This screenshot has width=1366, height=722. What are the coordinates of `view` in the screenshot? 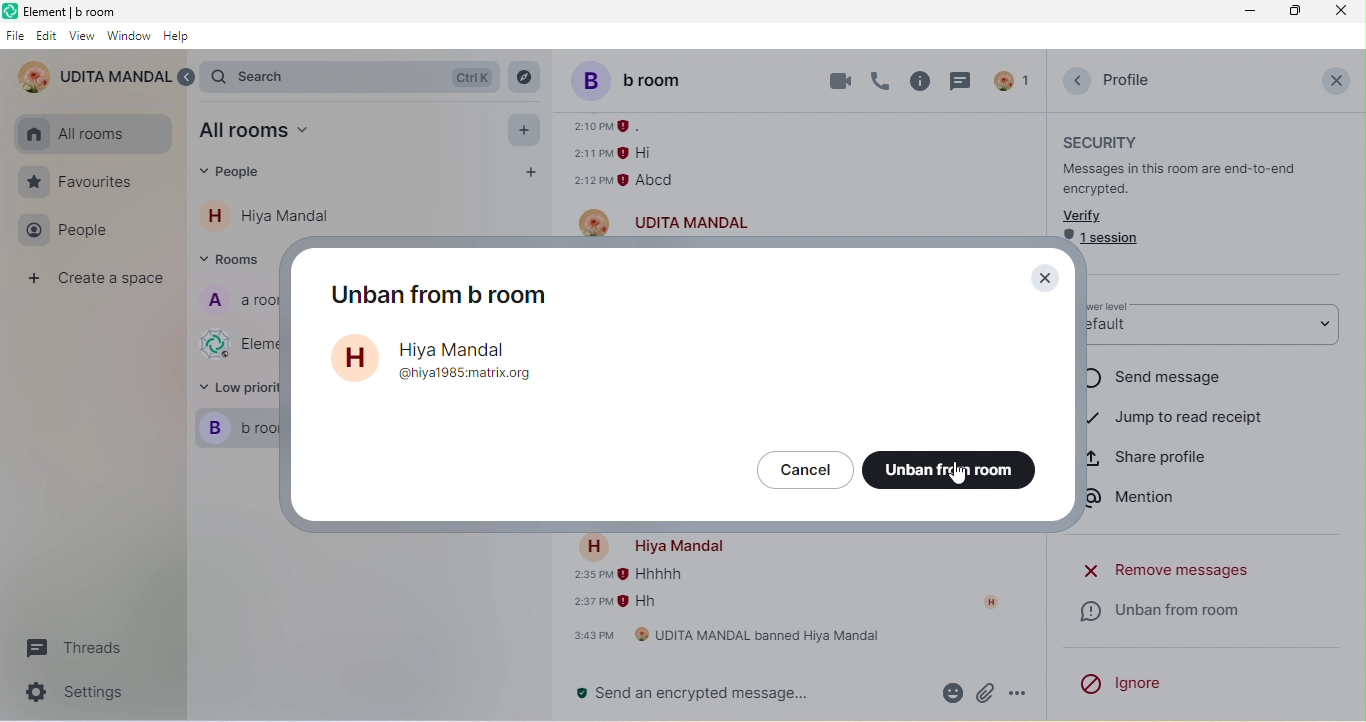 It's located at (84, 35).